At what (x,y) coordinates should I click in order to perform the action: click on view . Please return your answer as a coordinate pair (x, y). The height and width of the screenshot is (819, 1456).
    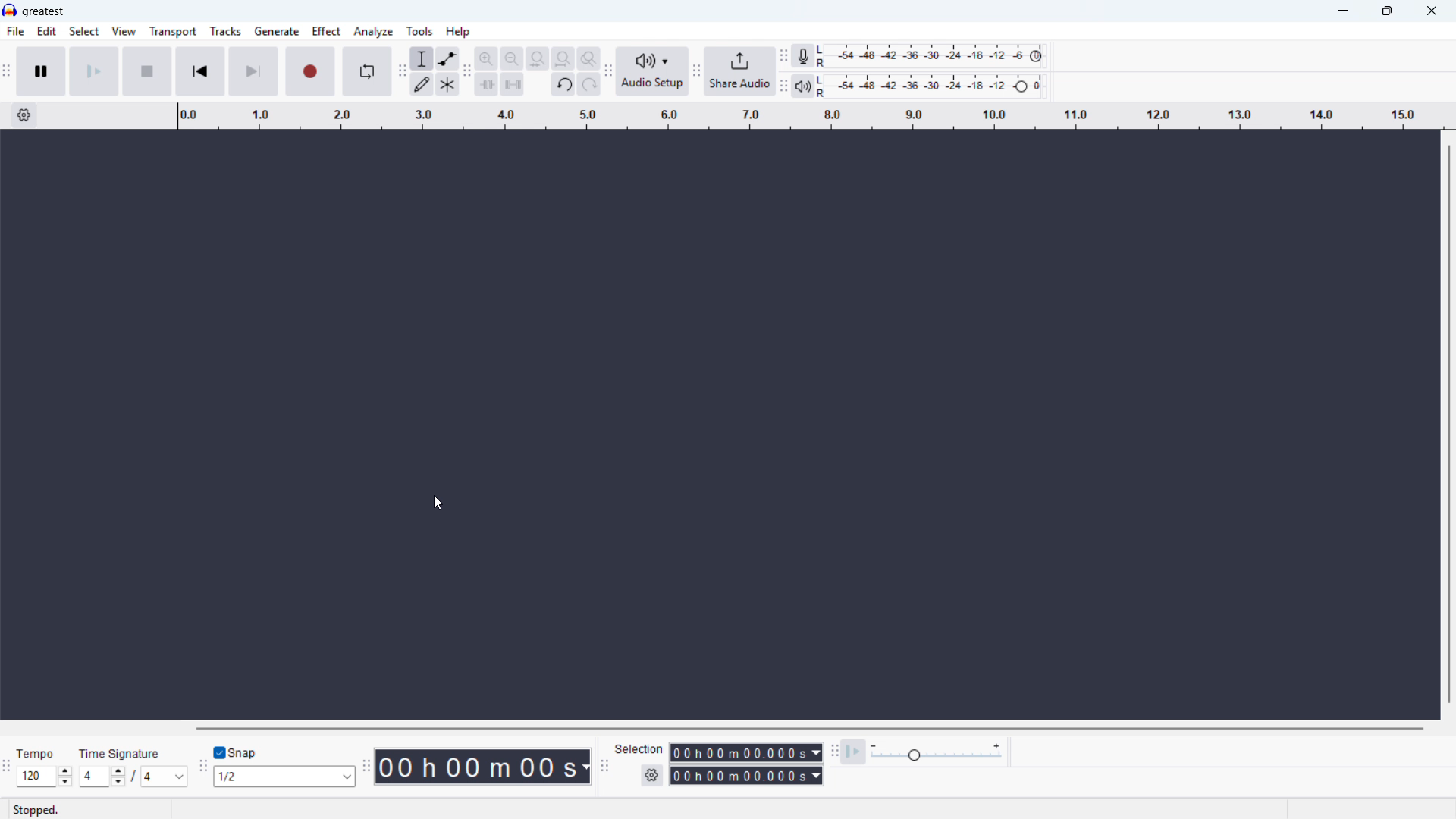
    Looking at the image, I should click on (124, 30).